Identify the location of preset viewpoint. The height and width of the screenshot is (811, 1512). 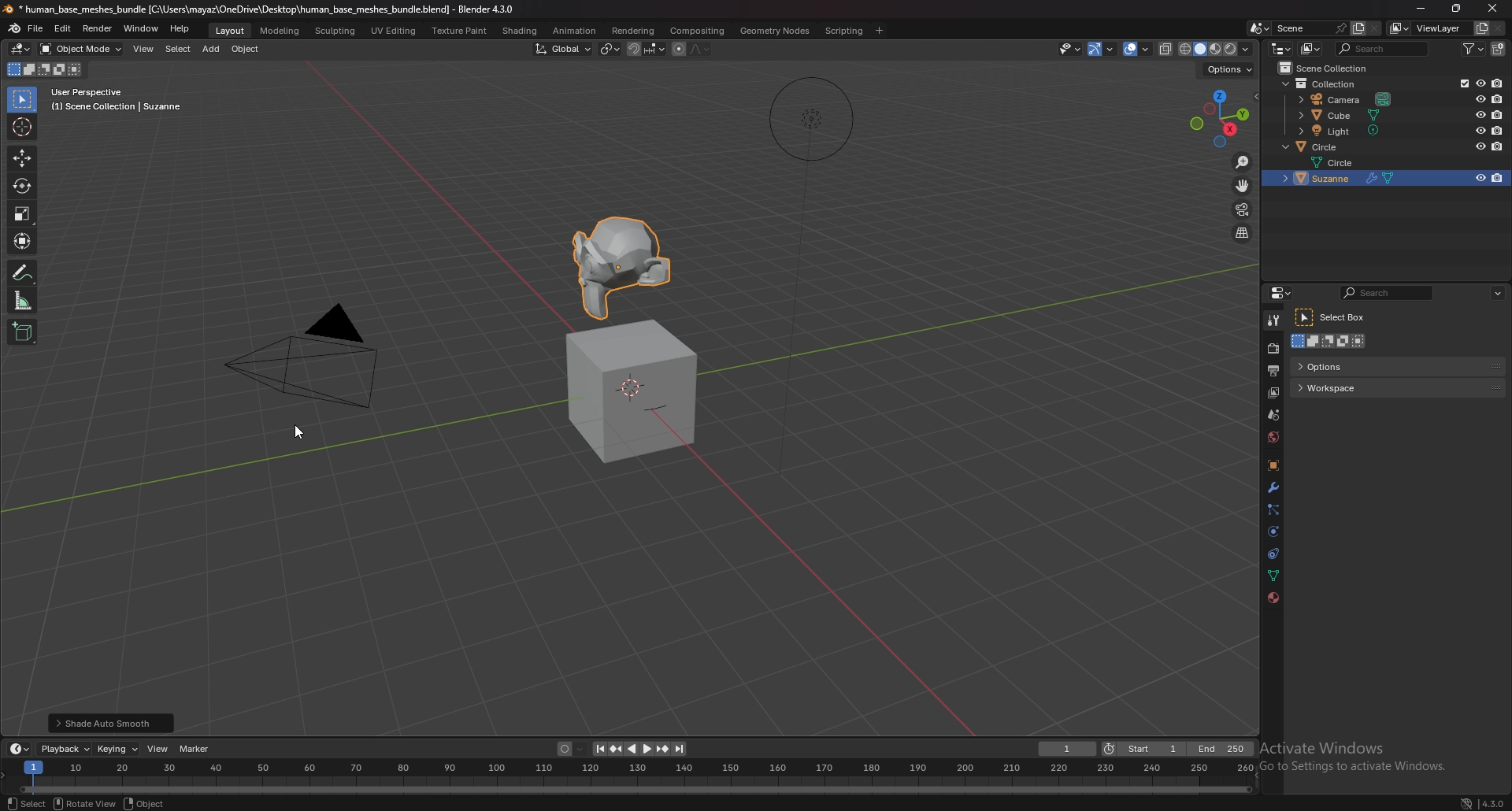
(1222, 118).